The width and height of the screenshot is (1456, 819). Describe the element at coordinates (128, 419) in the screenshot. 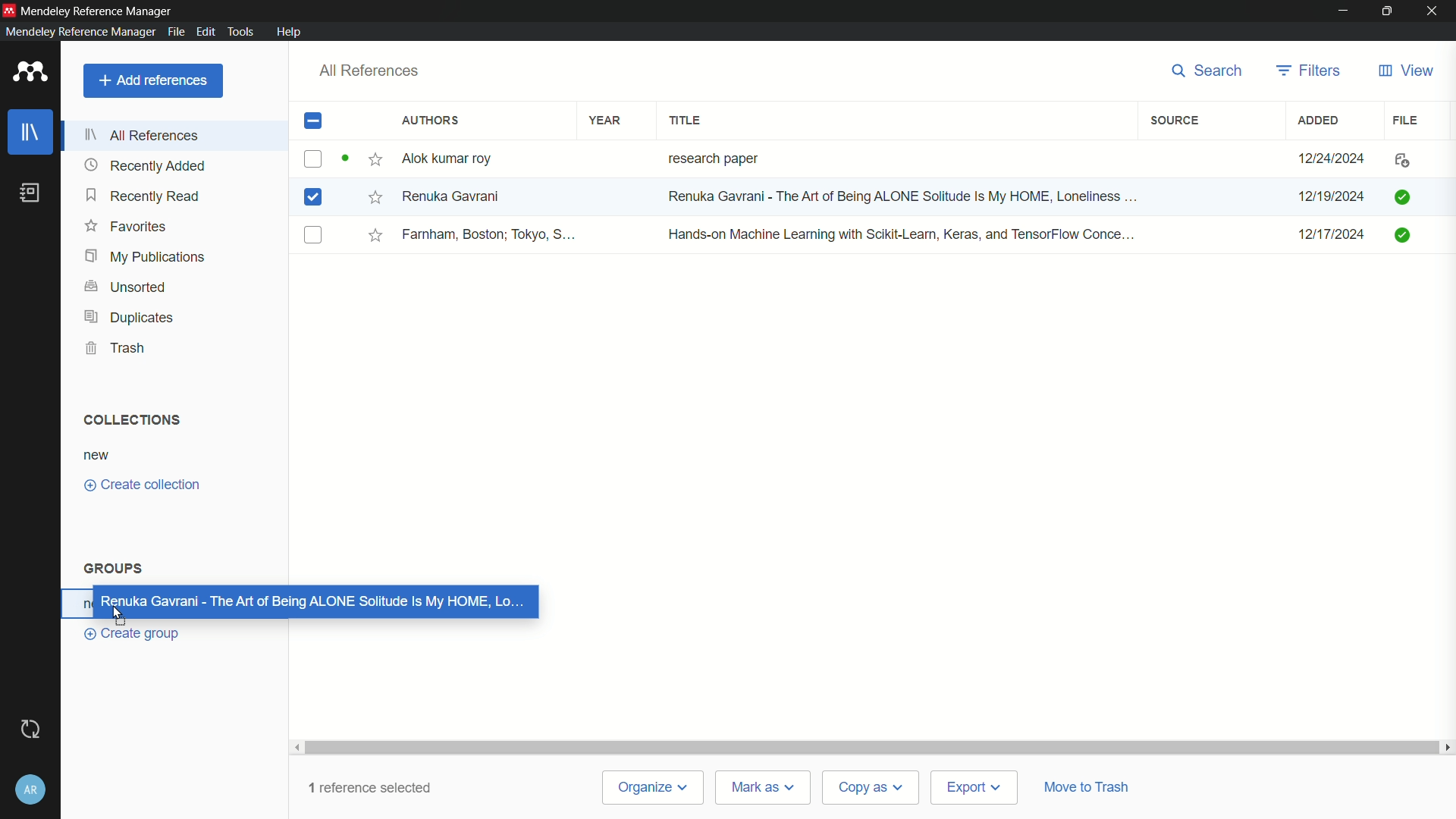

I see `collections` at that location.